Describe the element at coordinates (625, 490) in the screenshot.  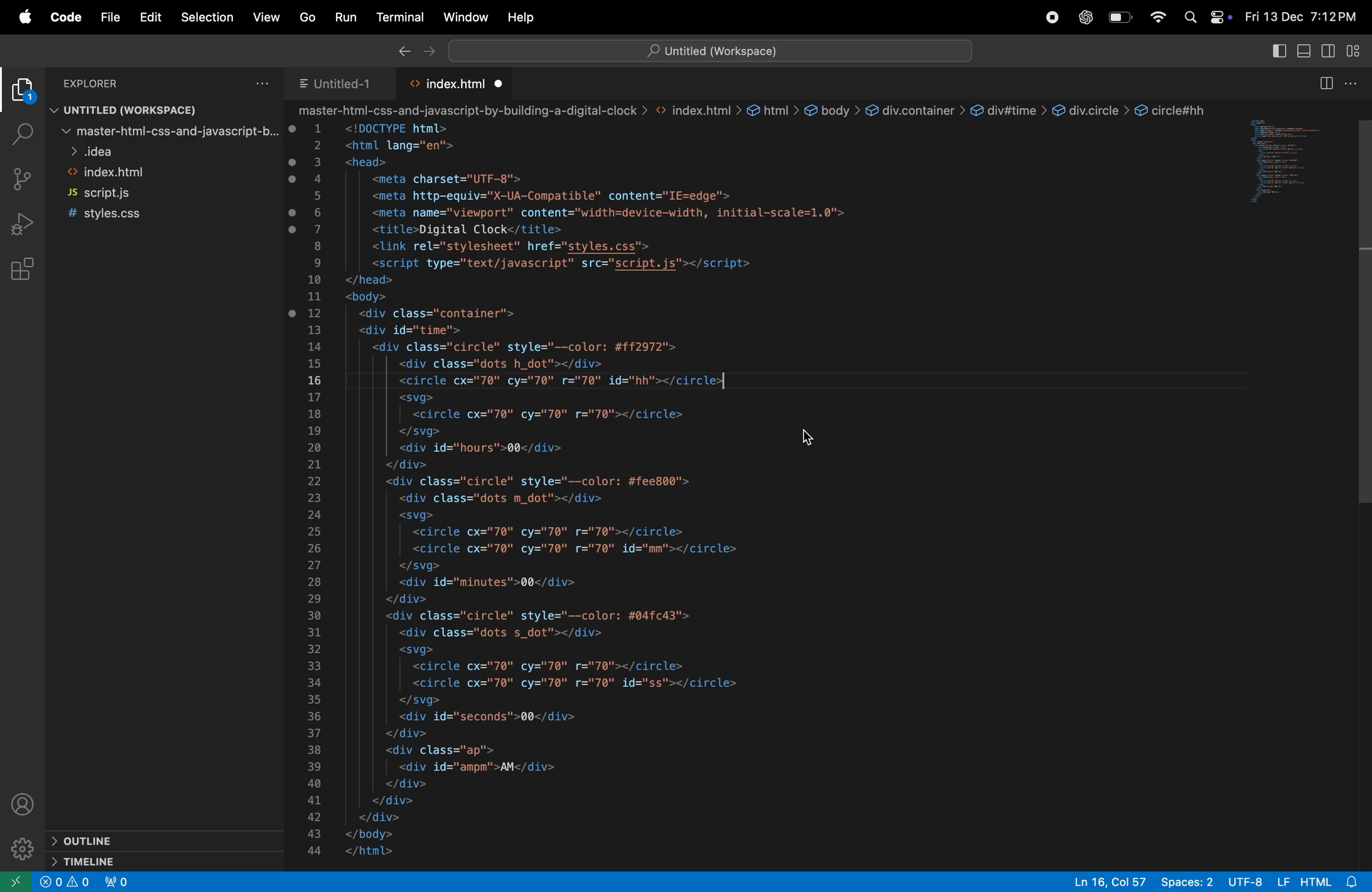
I see `SLUULTTTTL num
<html lang="en">
<head>
<meta charset="UTF-8">
<meta http-equiv="X-UA-Compatible" content="IE=edge">
<meta name="viewport" content="width=device-width, initial-scale=1.0">
<title>Digital Clock</title>
<link rel="stylesheet" href="styles.css">
<script type="text/javascript" src="script.js"></script>
</head>
<body>
<div class="container">
<div id="time">
<div class="circle" style="--color: #ff2972">
<div class="dots h_dot"></div>
<svg>
<circle cx="70" cy="70" r="70" id="hh"></circle> N
<circle cx="70" cy="70" r="70"></circle>
</svg>
<div id="hours">00</div>
</div>
<div class="circle" style="--color: #fee800">
<div class="dots m_dot"></div>
<svg>
<circle cx="70" cy="70" r="70"></circle>
<circle cx="70" cy="70" r="70" id="mm"></circle>
</svg>
<div id="minutes">00</div>
</div>
<div class="circle" style="--color: #04fc43">
<div class="dots s_dot"></div>
<svg>
<circle cx="70" cy="70" r="70"></circle>
<circle cx="70" cy="70" r="70" id="ss"></circle>
</svg>
<div id="seconds">00</div>
</div>
<div class="ap">
<div id="ampm">AM</div>
</div>
</div>
</div>
</body>
</html>` at that location.